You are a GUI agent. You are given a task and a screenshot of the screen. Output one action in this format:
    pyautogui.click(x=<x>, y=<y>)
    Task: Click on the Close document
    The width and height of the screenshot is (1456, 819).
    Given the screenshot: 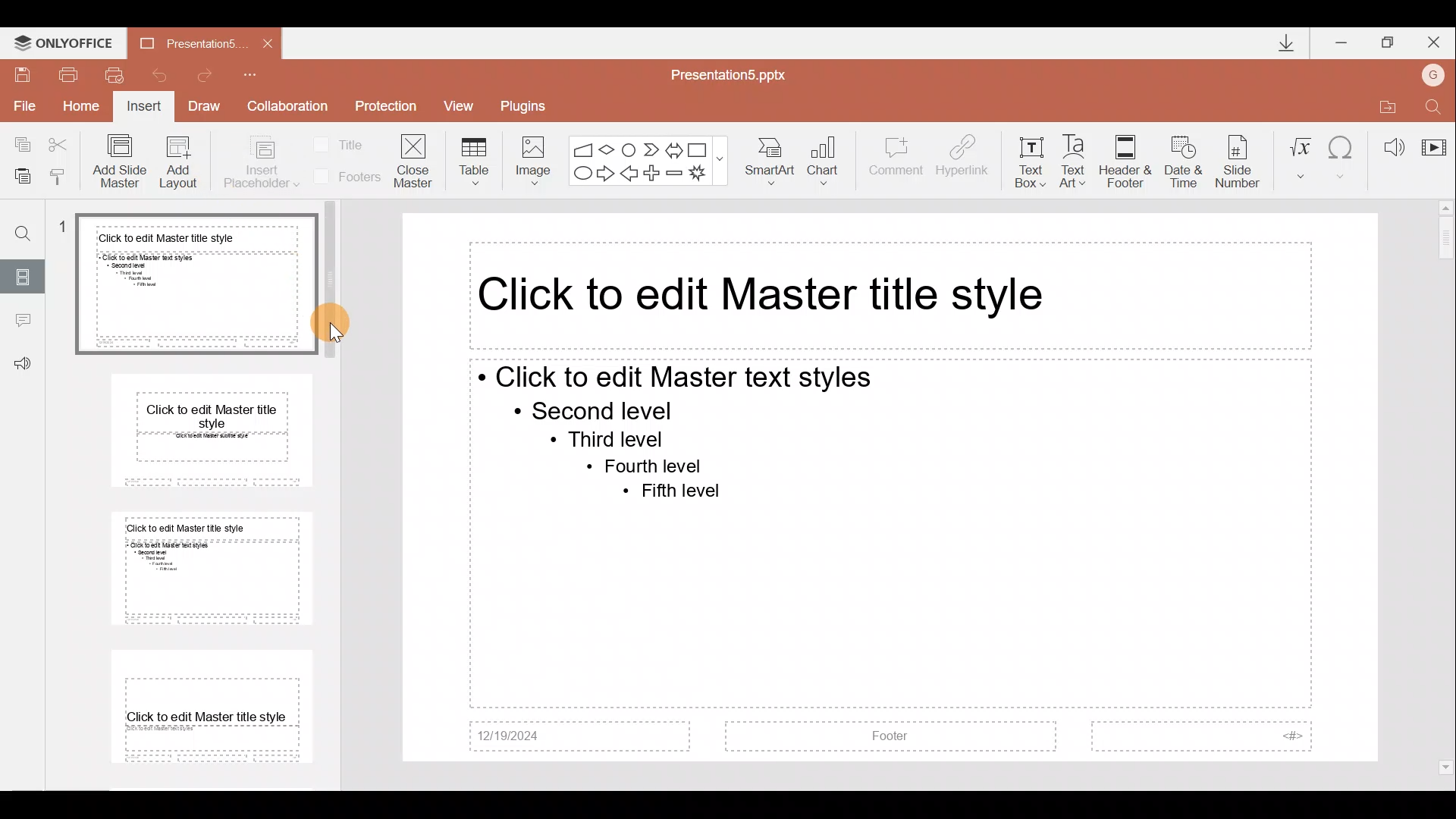 What is the action you would take?
    pyautogui.click(x=263, y=42)
    